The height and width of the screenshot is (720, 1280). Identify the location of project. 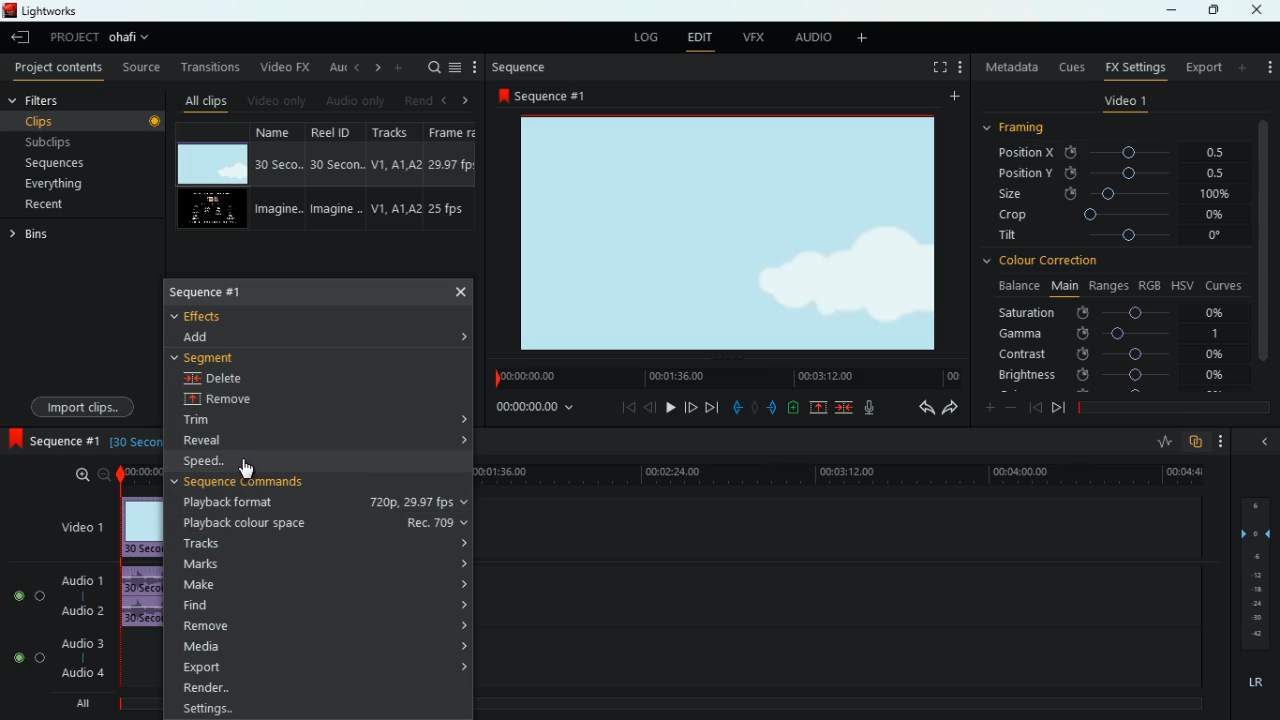
(102, 38).